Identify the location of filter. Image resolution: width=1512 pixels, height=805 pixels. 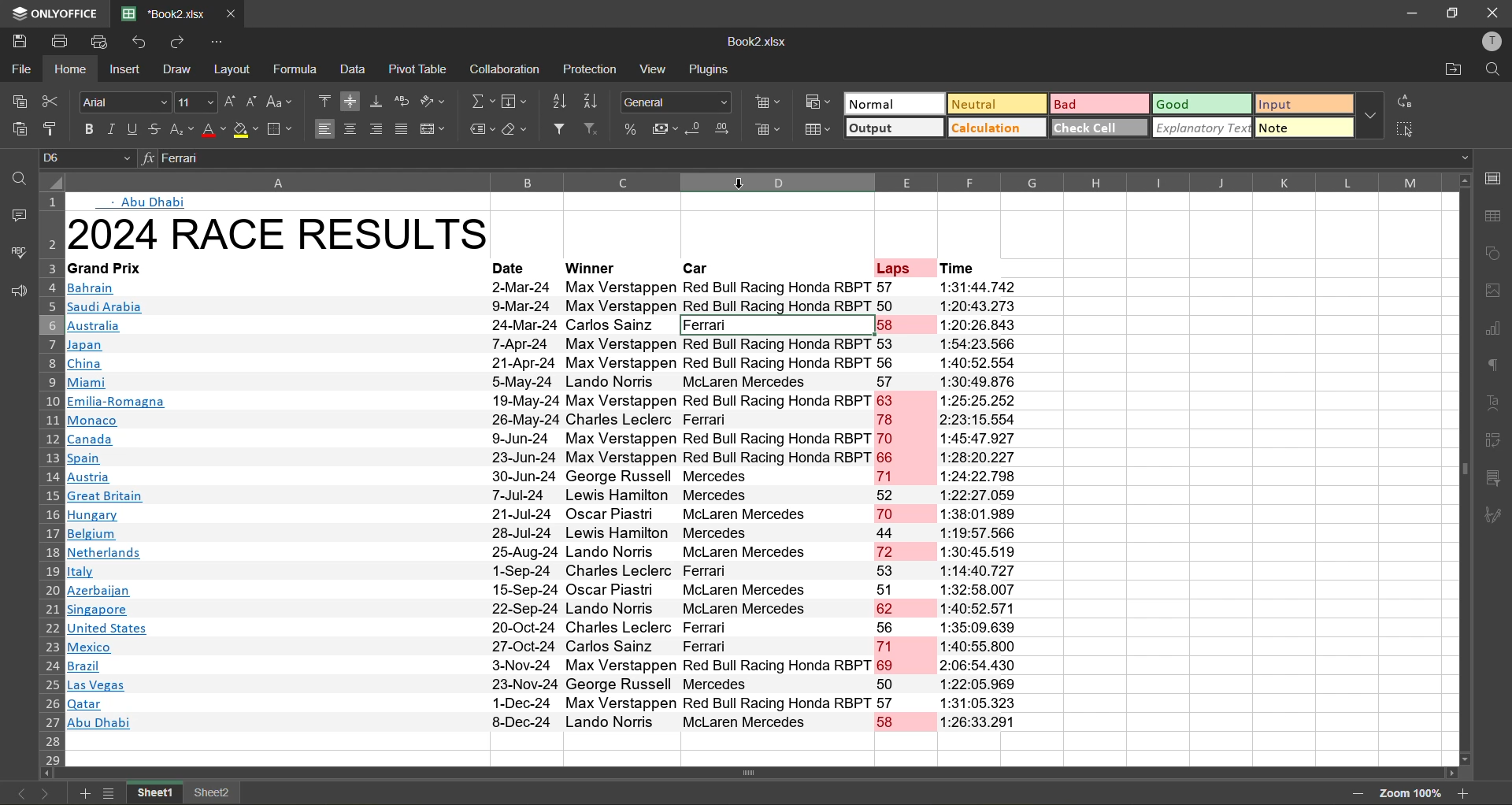
(558, 129).